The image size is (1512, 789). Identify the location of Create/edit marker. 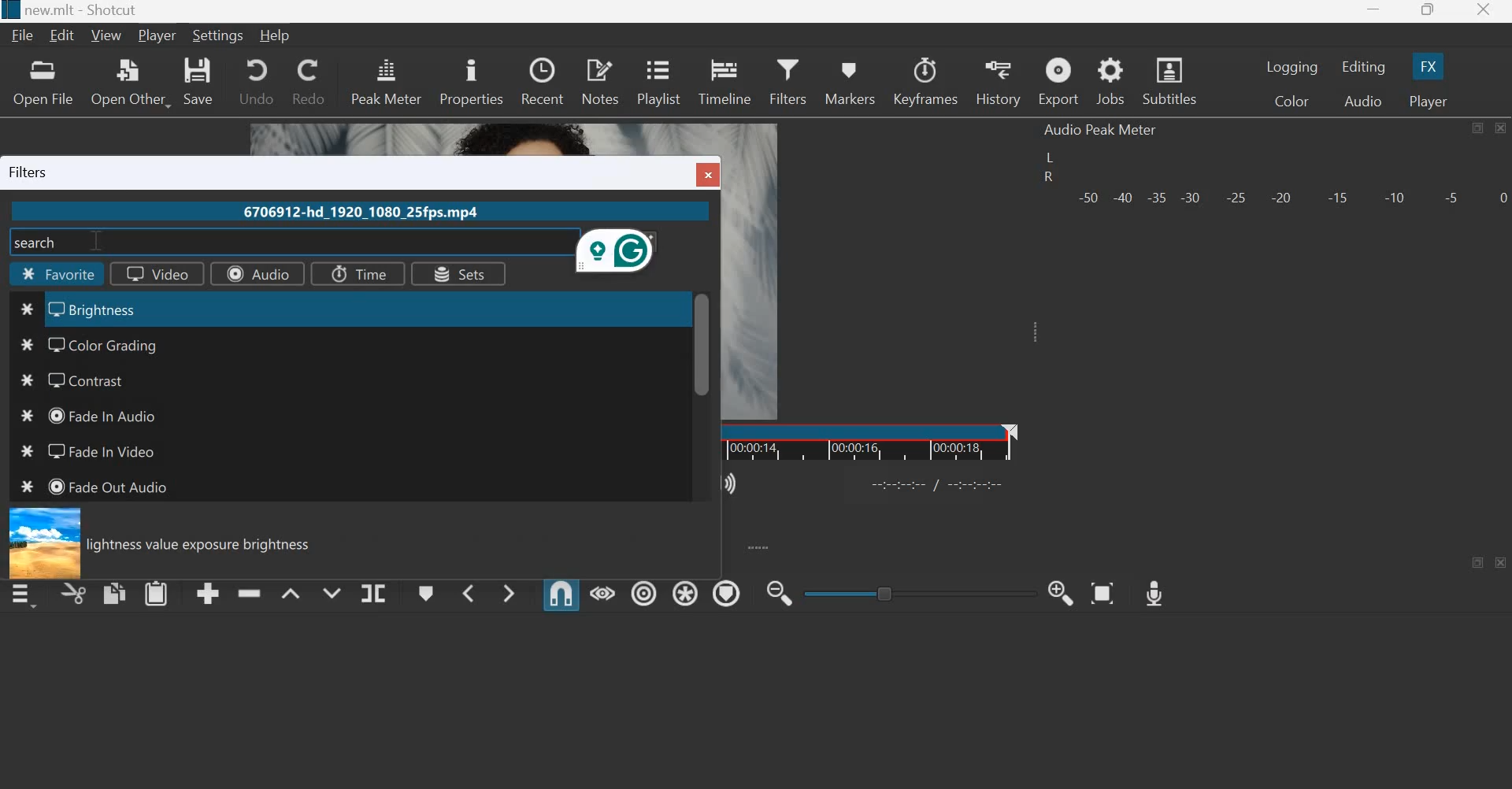
(427, 594).